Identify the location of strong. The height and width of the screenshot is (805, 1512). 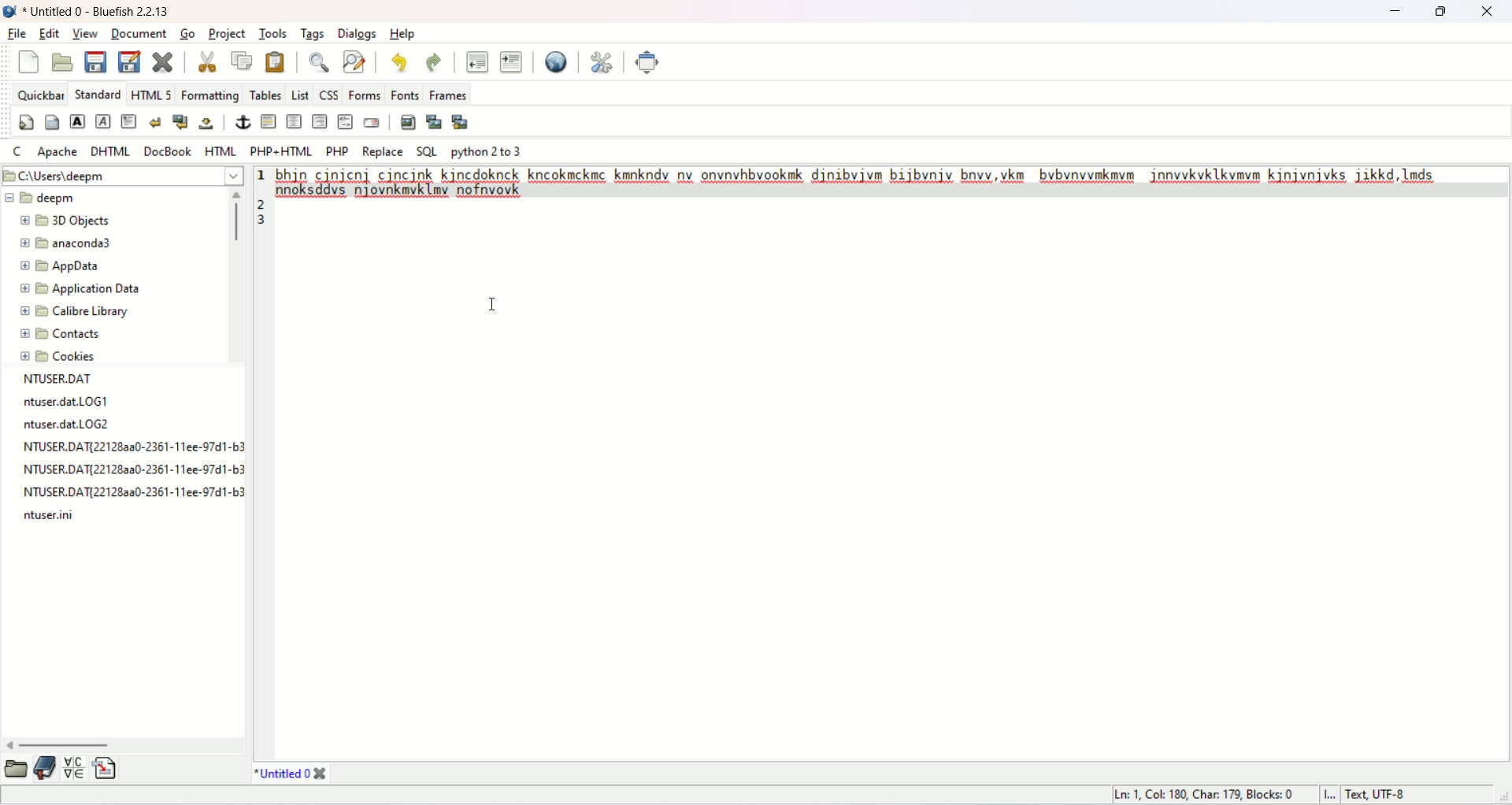
(80, 122).